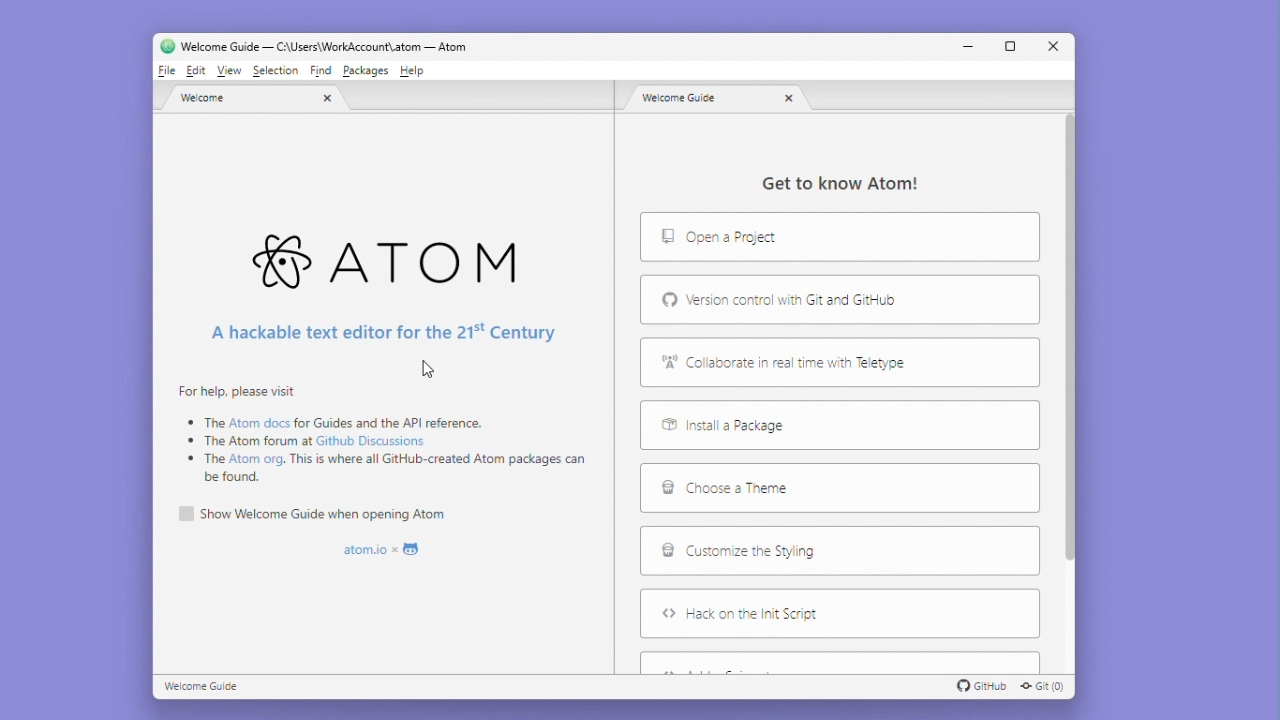 The image size is (1280, 720). Describe the element at coordinates (789, 362) in the screenshot. I see `Collaborate in real time with teletype` at that location.